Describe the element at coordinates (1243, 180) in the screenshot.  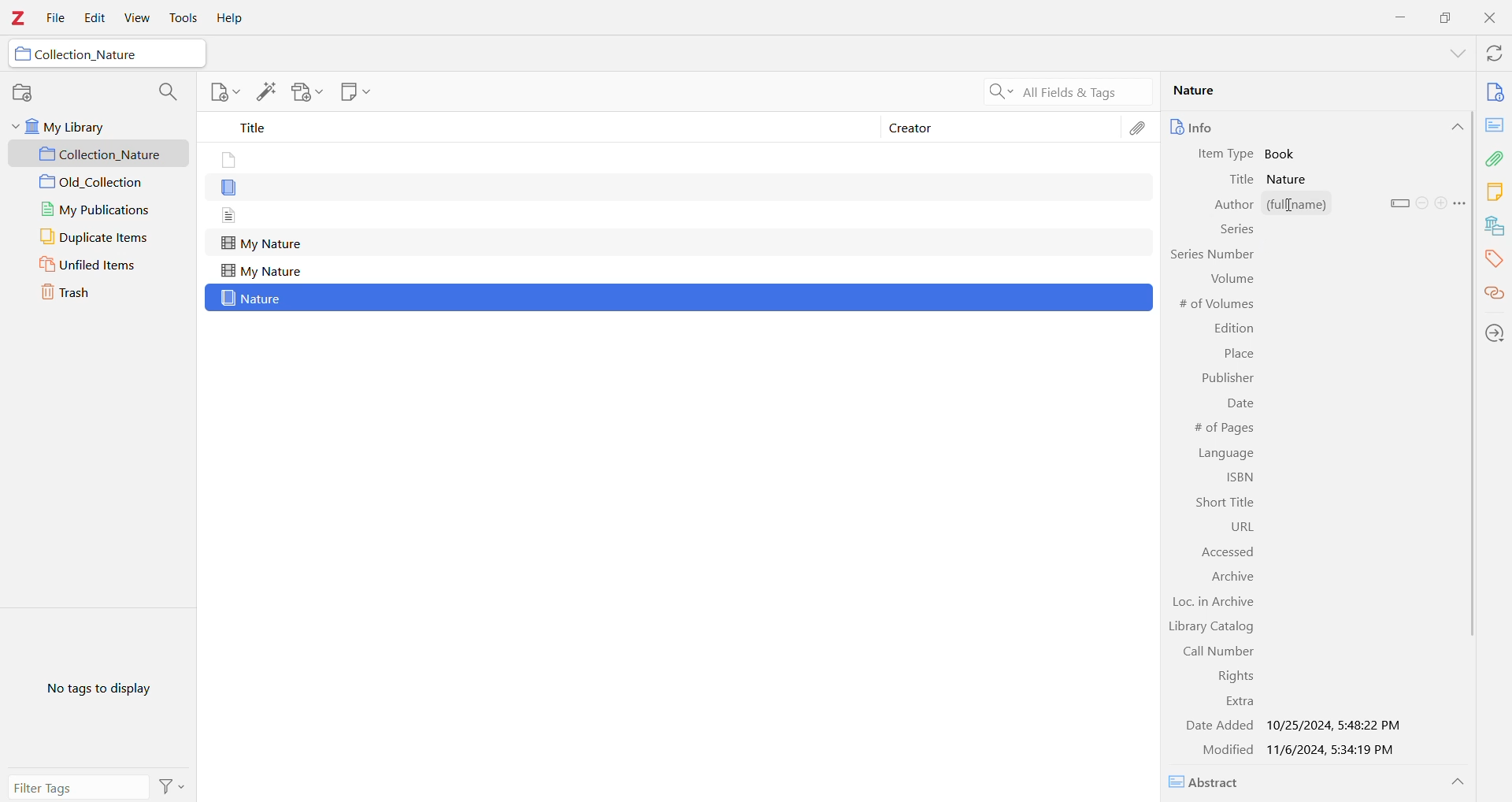
I see `Title` at that location.